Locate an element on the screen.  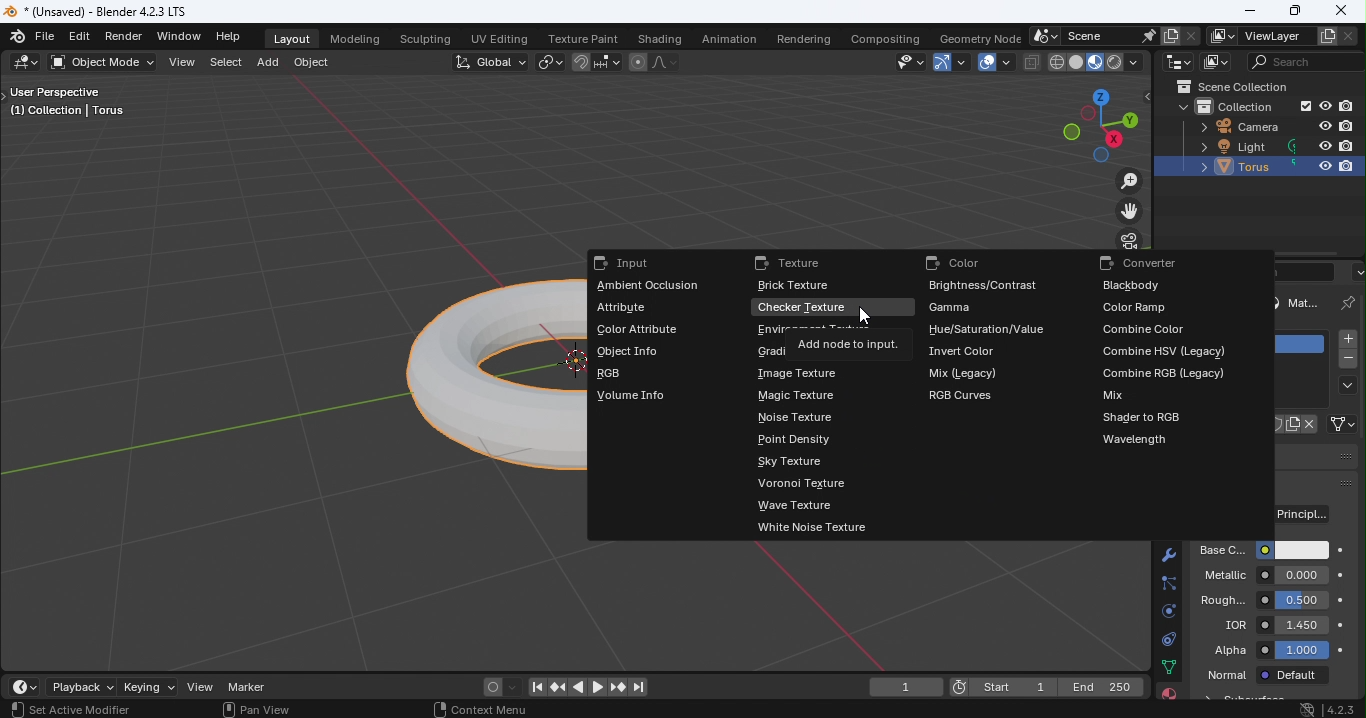
environment is located at coordinates (771, 330).